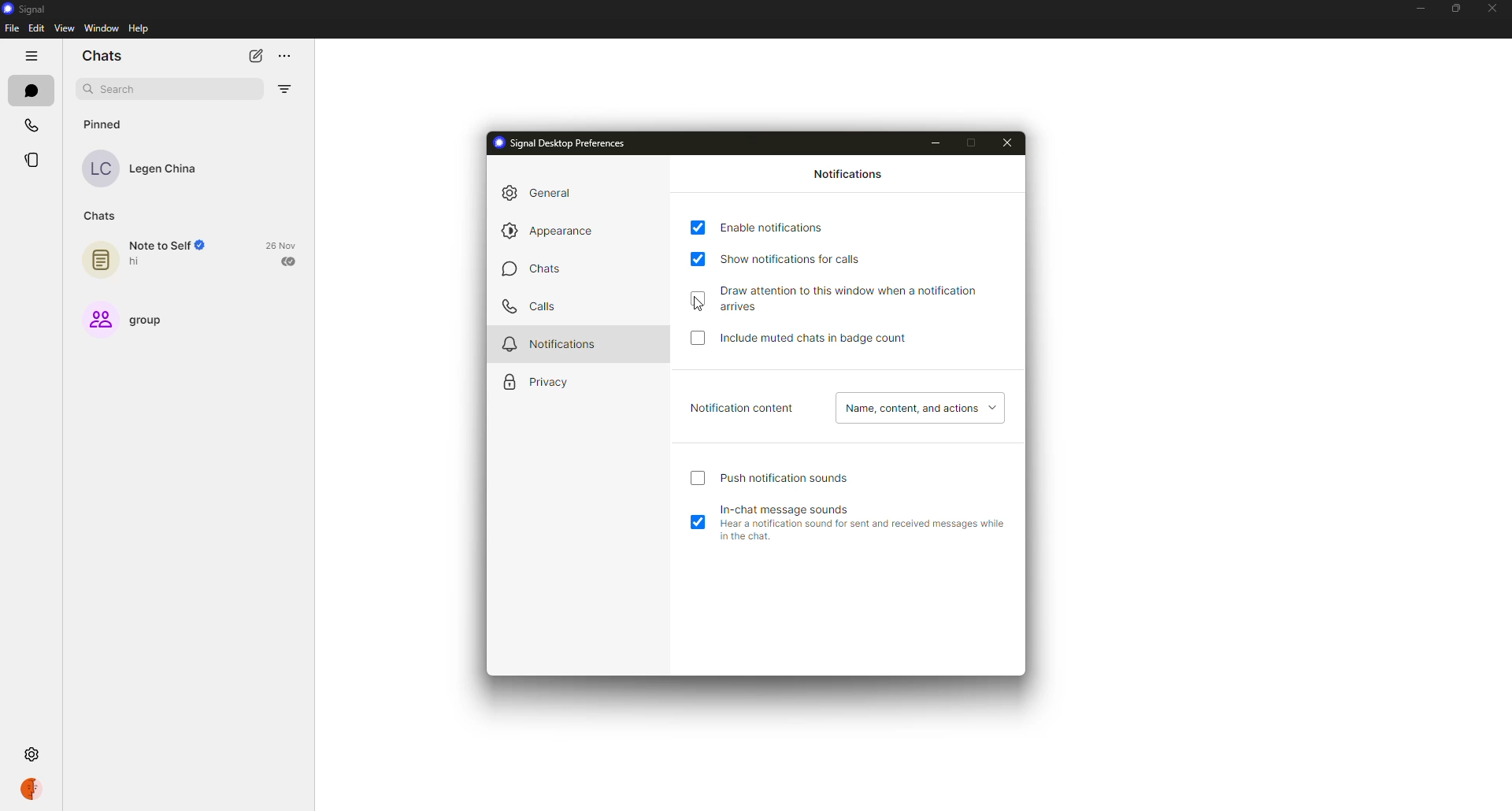 The height and width of the screenshot is (811, 1512). I want to click on enabled, so click(698, 259).